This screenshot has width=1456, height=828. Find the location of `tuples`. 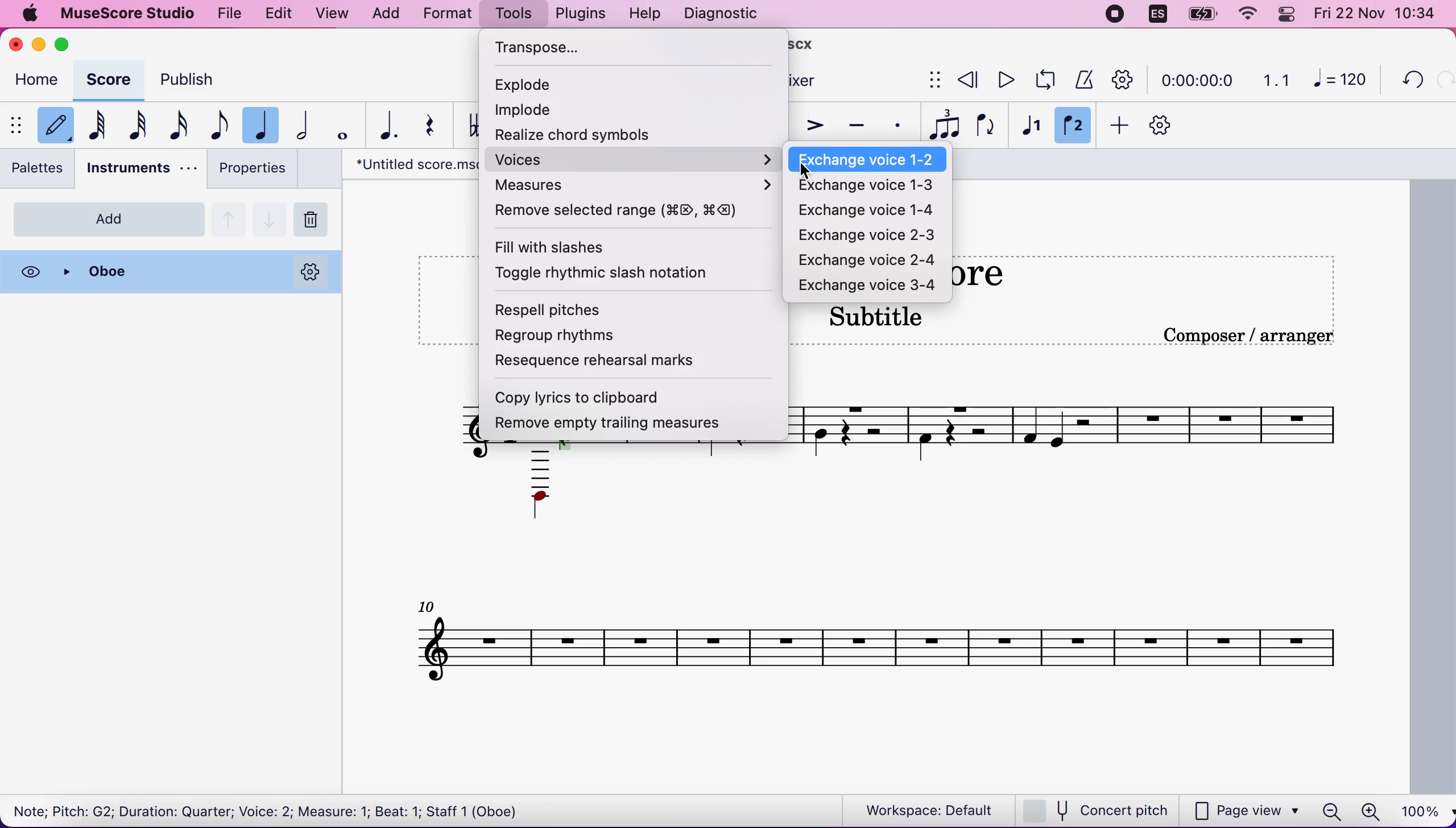

tuples is located at coordinates (940, 124).